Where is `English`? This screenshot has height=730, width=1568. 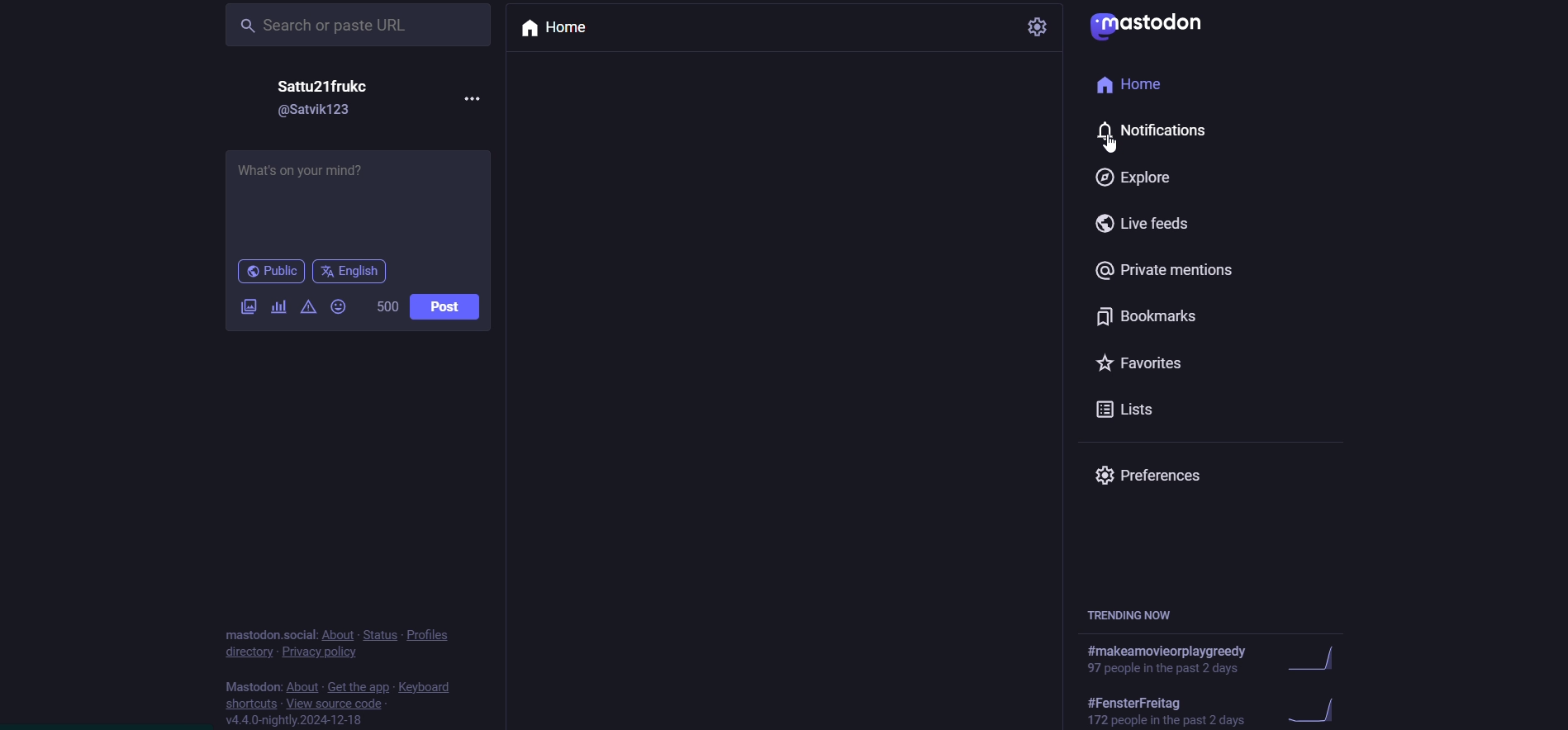 English is located at coordinates (349, 273).